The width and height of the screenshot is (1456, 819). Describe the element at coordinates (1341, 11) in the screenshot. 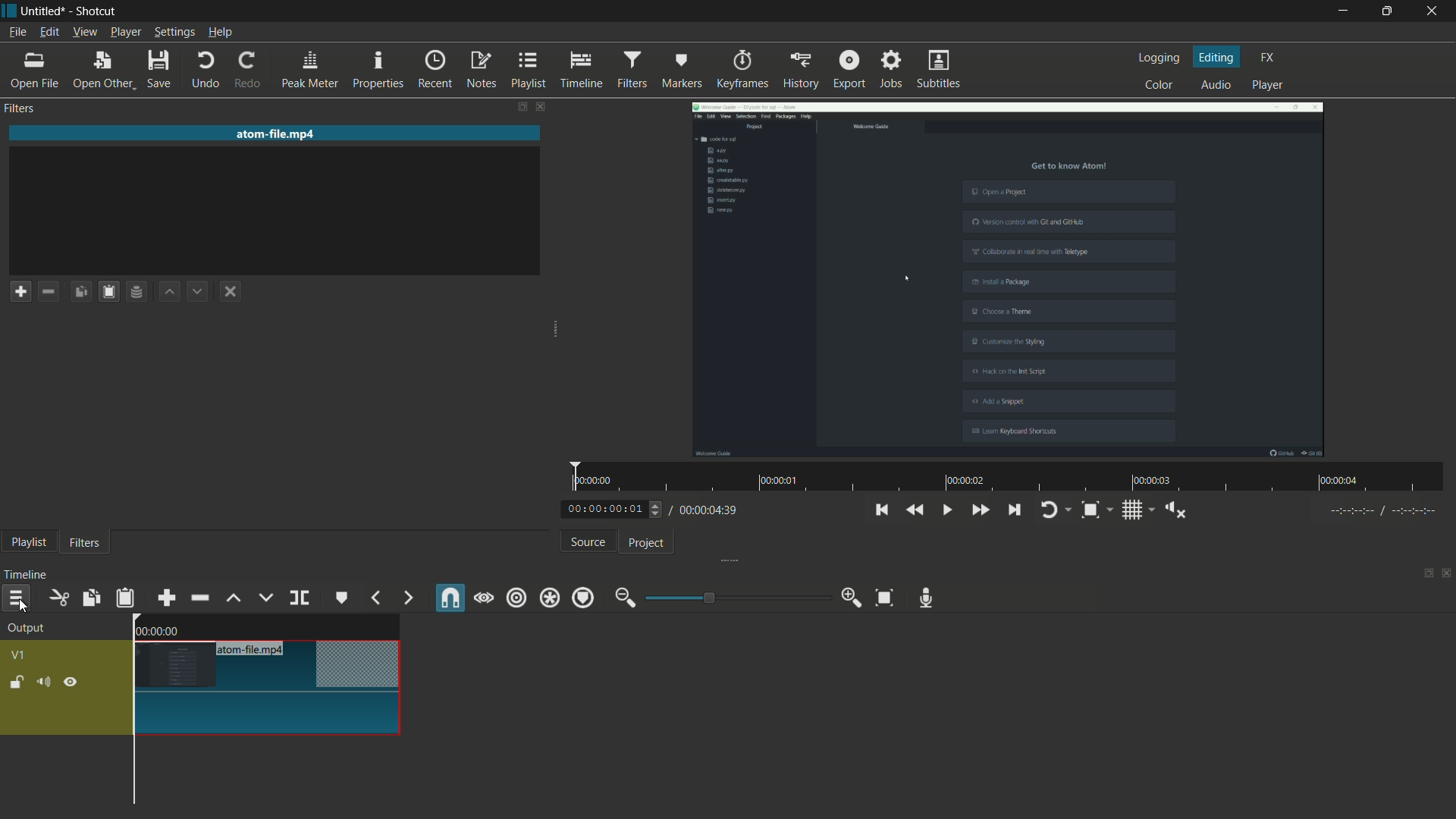

I see `minimize` at that location.